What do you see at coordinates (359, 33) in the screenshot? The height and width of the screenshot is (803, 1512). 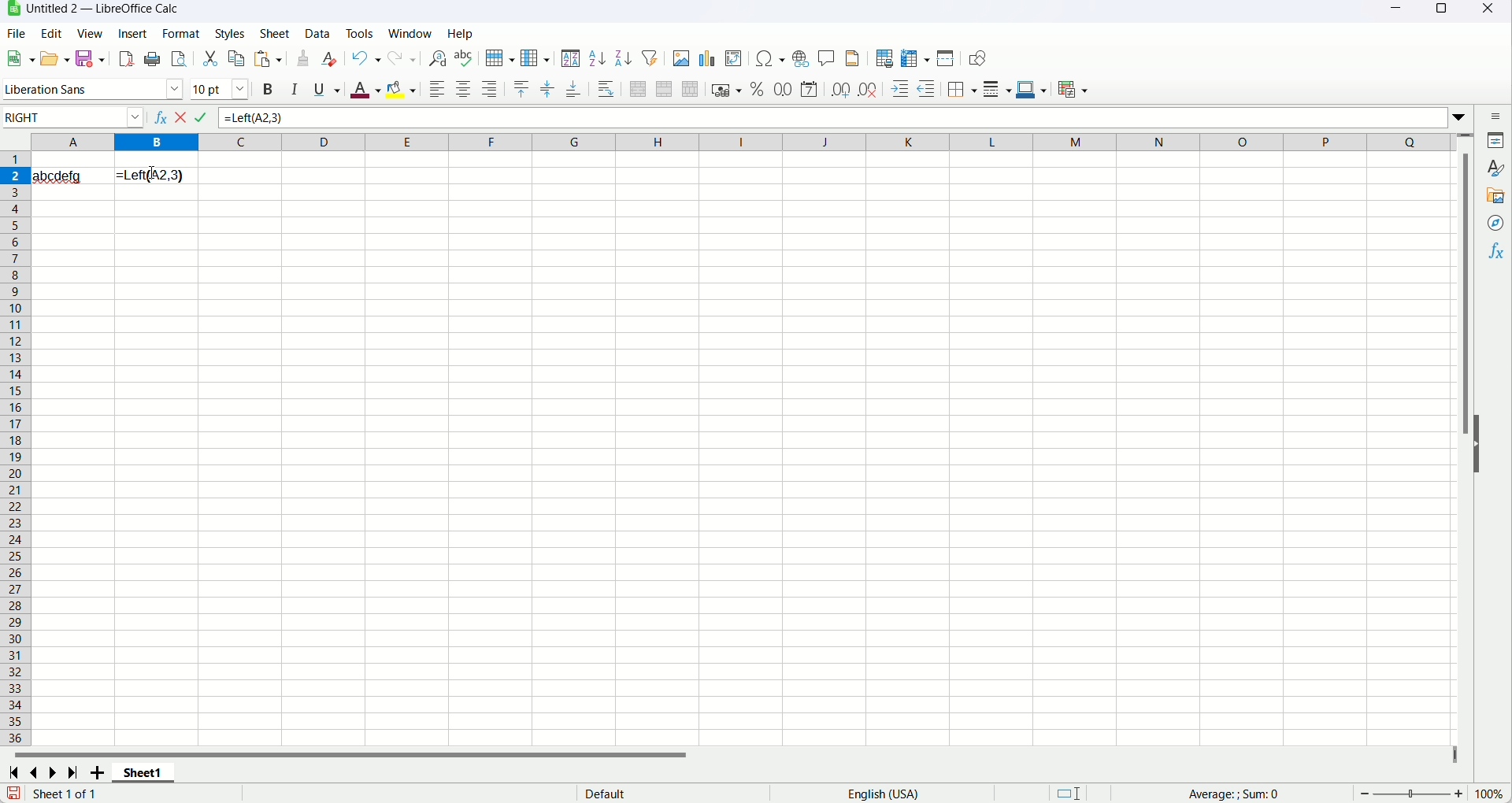 I see `tools` at bounding box center [359, 33].